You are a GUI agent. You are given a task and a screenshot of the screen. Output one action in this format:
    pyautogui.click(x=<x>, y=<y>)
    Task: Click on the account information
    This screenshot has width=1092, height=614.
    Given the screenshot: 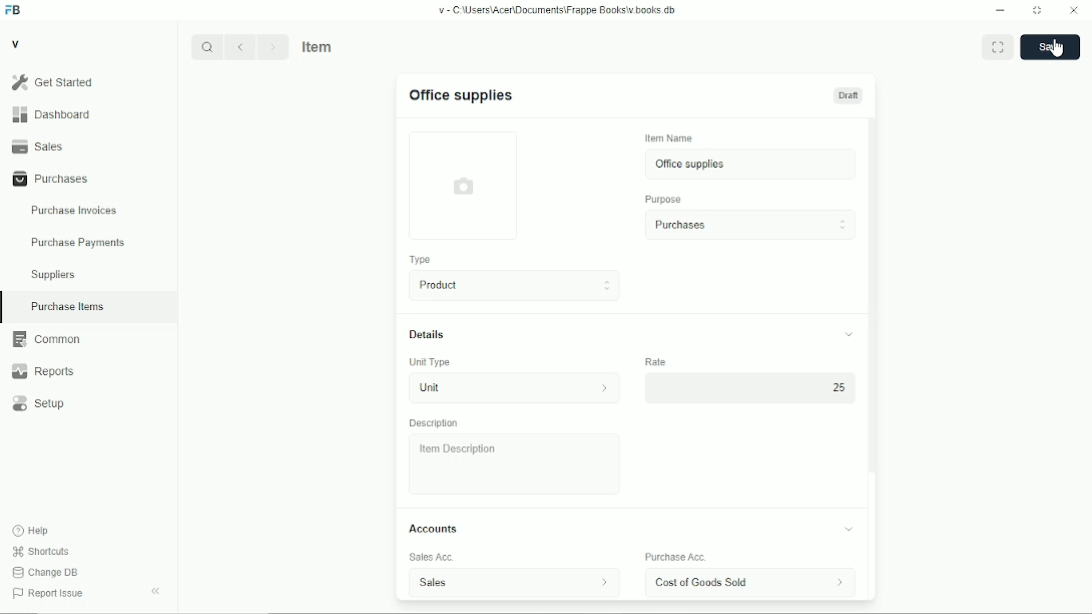 What is the action you would take?
    pyautogui.click(x=839, y=582)
    